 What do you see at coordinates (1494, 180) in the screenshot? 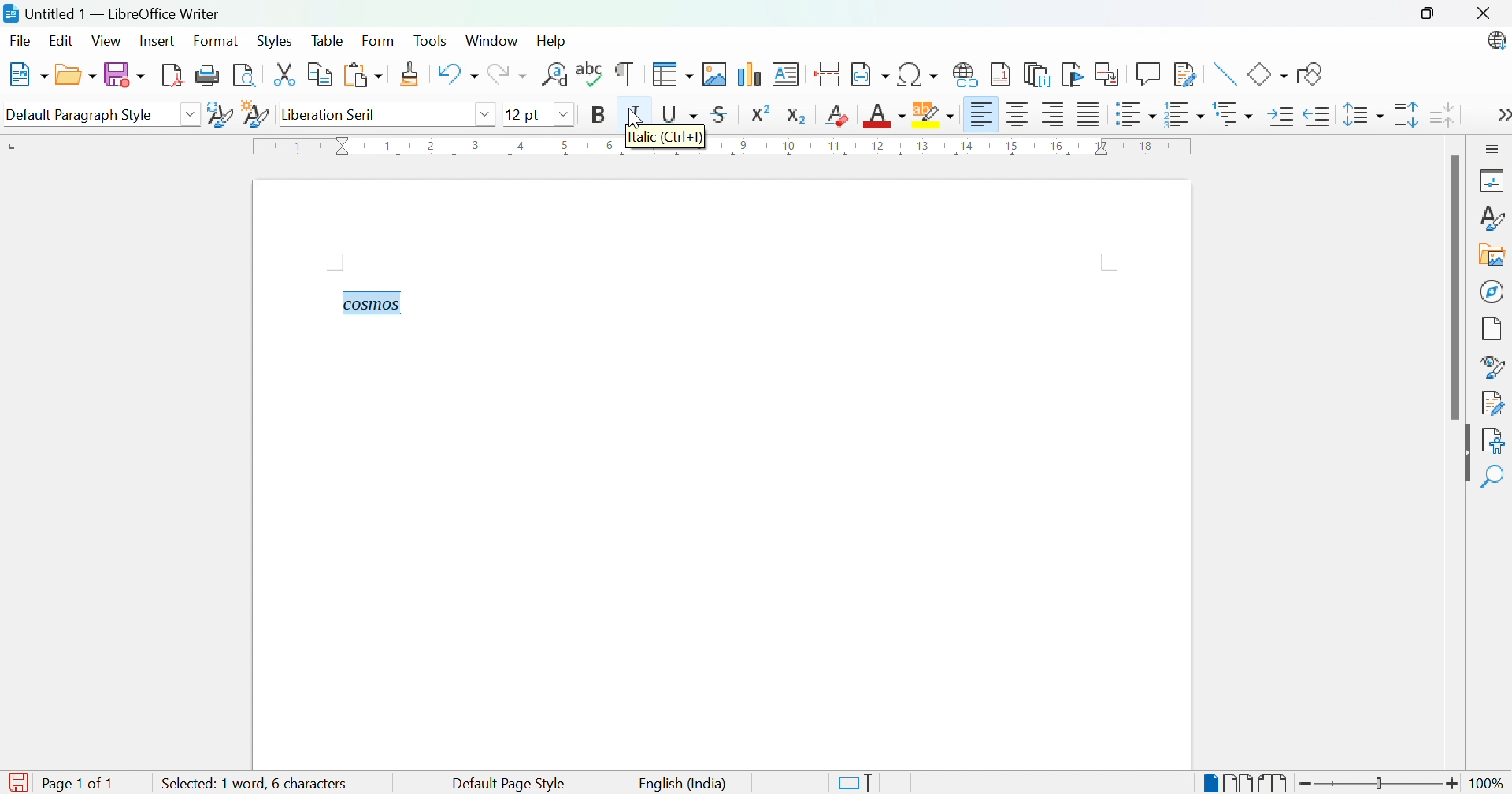
I see `Properties` at bounding box center [1494, 180].